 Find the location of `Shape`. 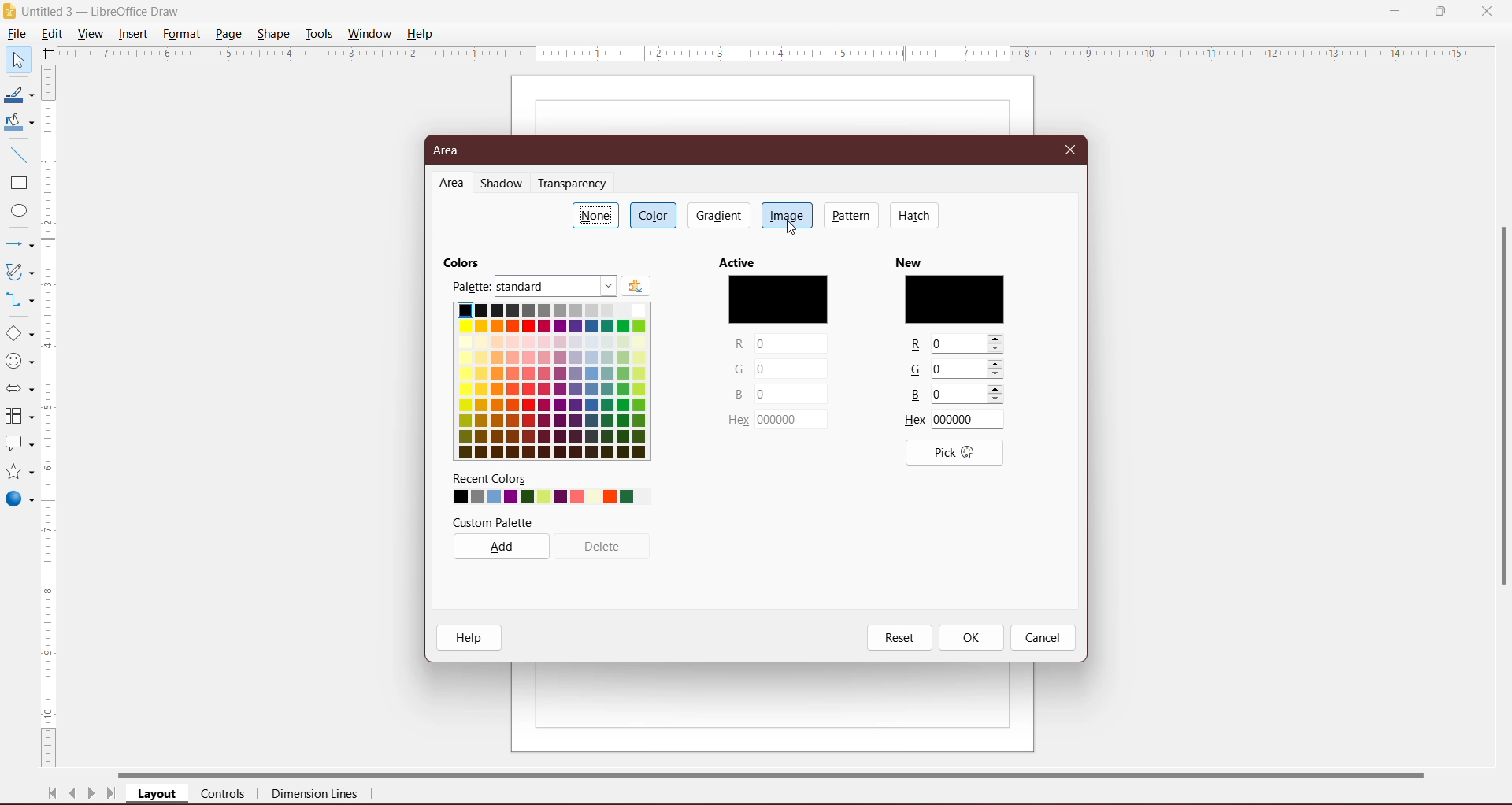

Shape is located at coordinates (275, 32).